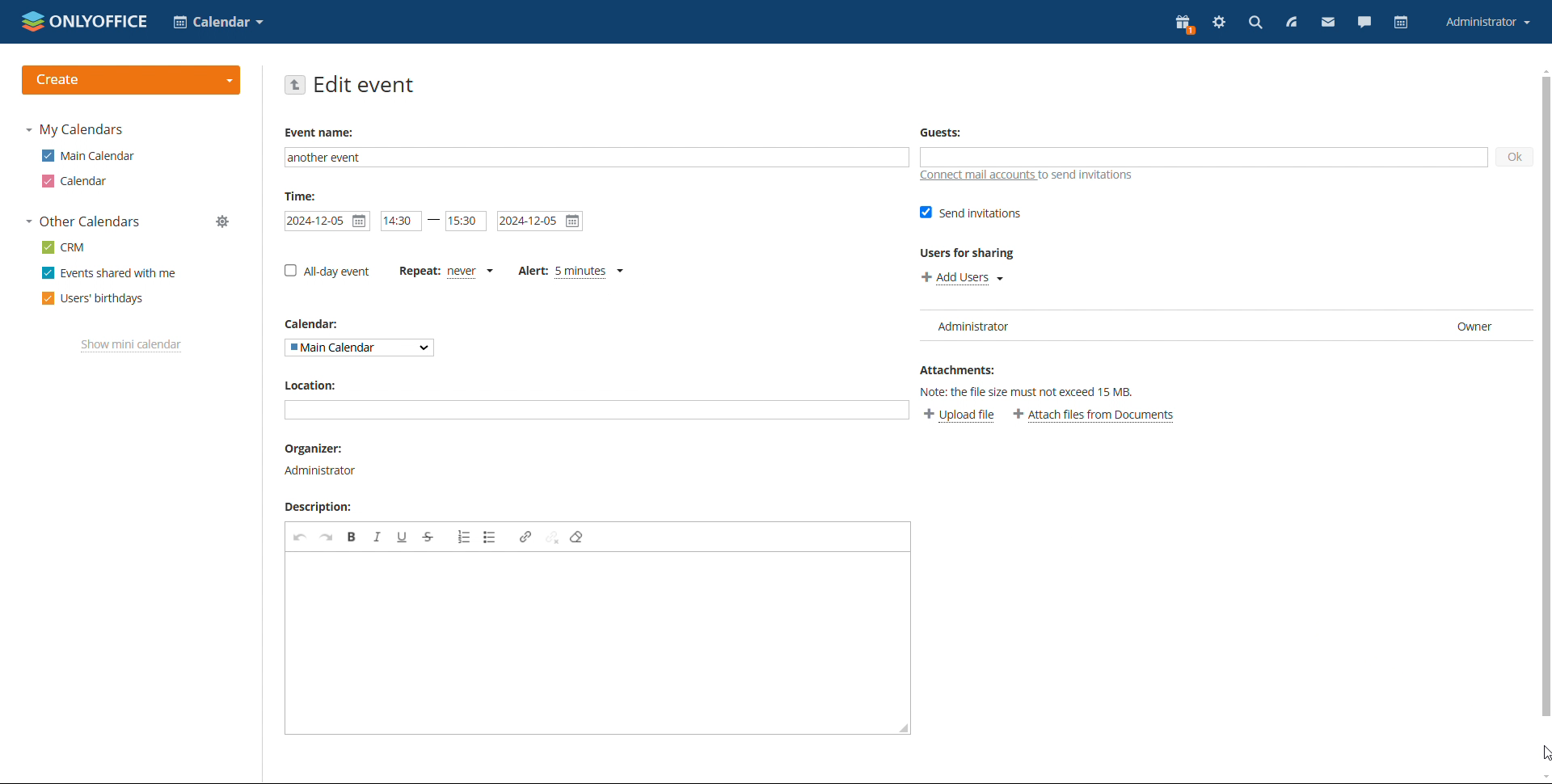 The height and width of the screenshot is (784, 1552). Describe the element at coordinates (1514, 158) in the screenshot. I see `ok` at that location.